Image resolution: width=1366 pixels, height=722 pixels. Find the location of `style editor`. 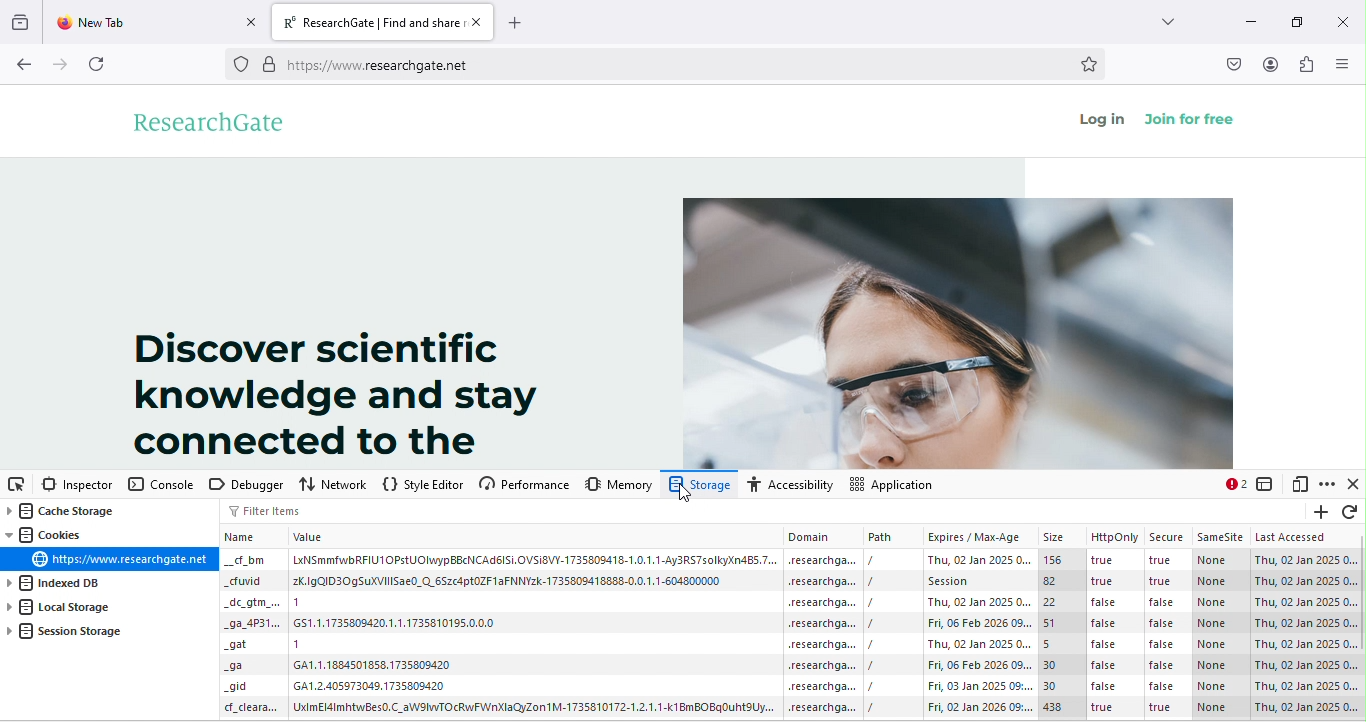

style editor is located at coordinates (421, 486).